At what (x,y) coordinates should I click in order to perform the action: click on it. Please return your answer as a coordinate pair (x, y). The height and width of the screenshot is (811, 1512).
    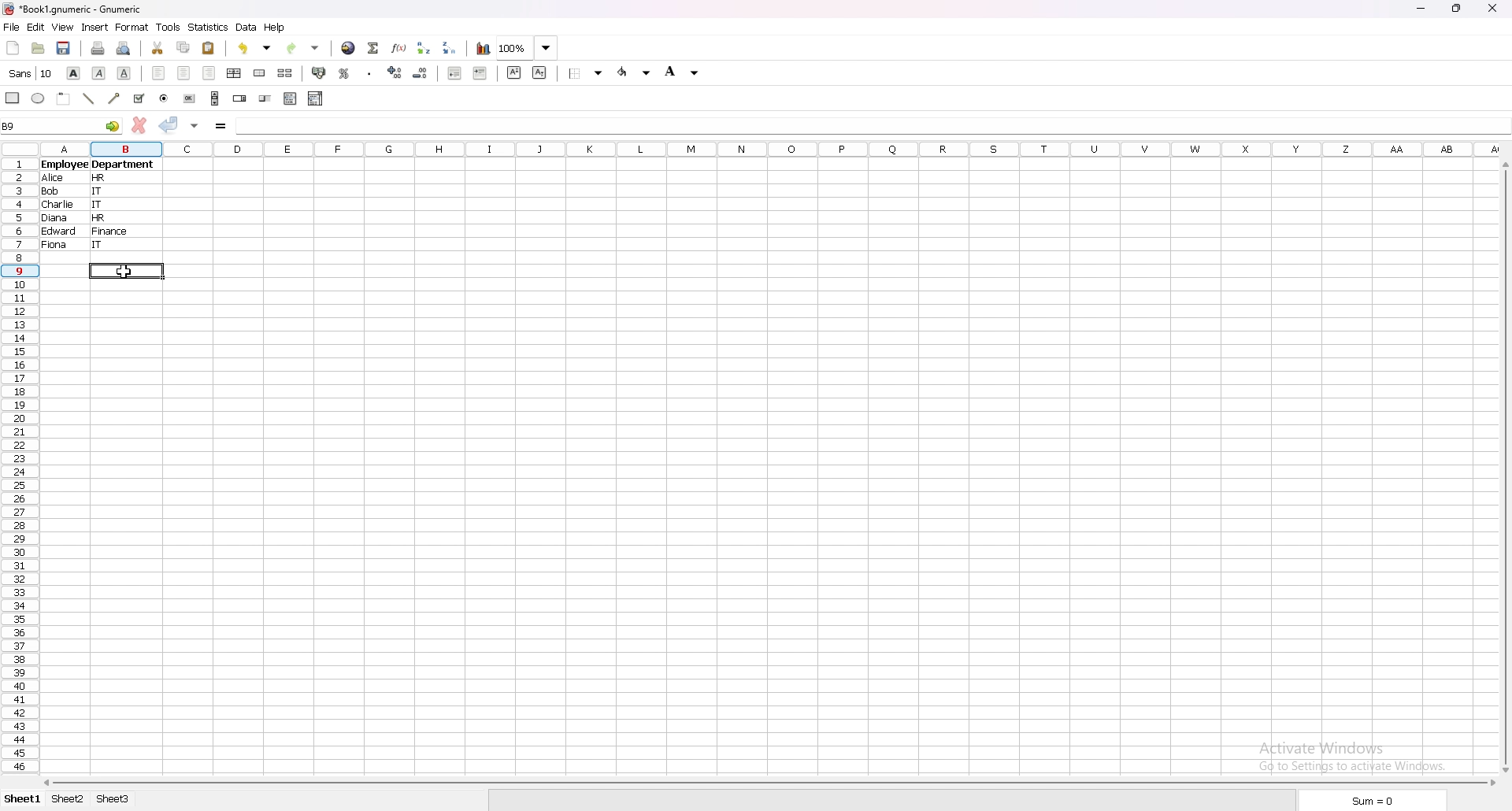
    Looking at the image, I should click on (99, 206).